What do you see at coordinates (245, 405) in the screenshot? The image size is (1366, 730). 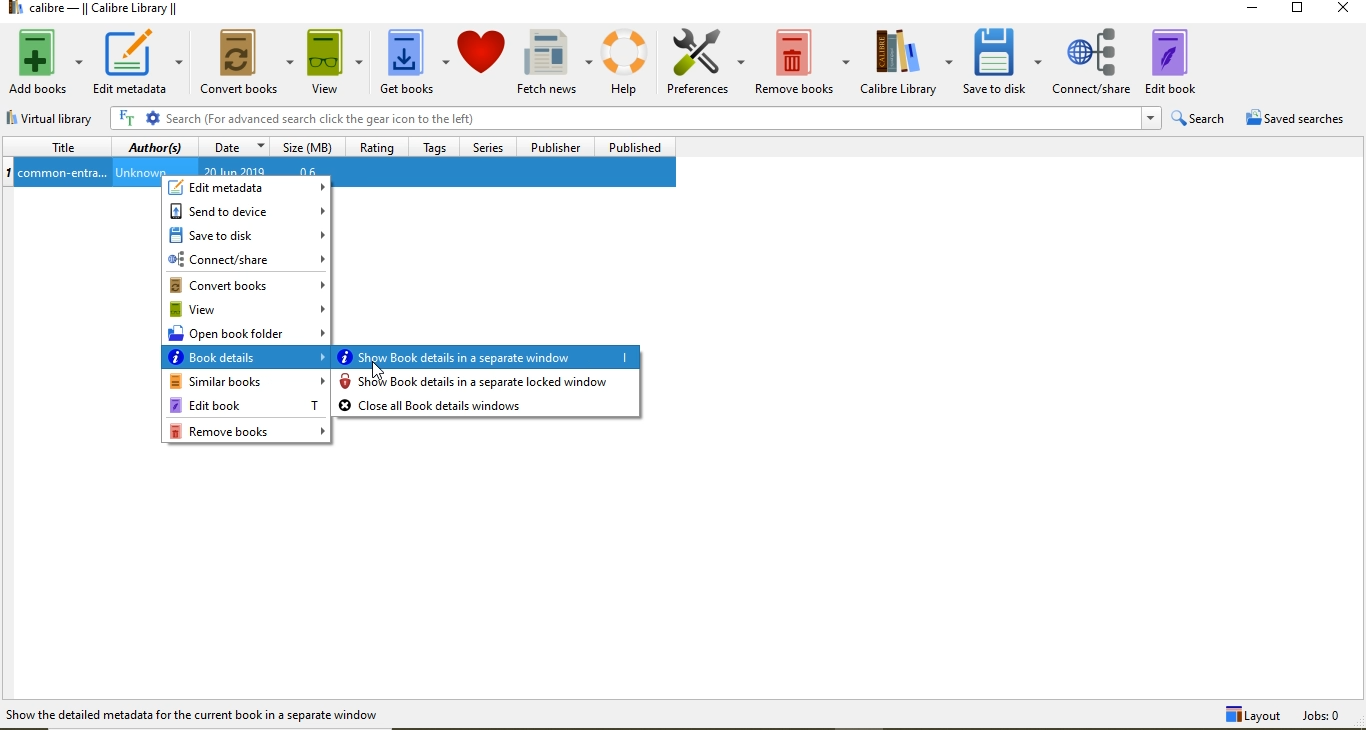 I see `edit book` at bounding box center [245, 405].